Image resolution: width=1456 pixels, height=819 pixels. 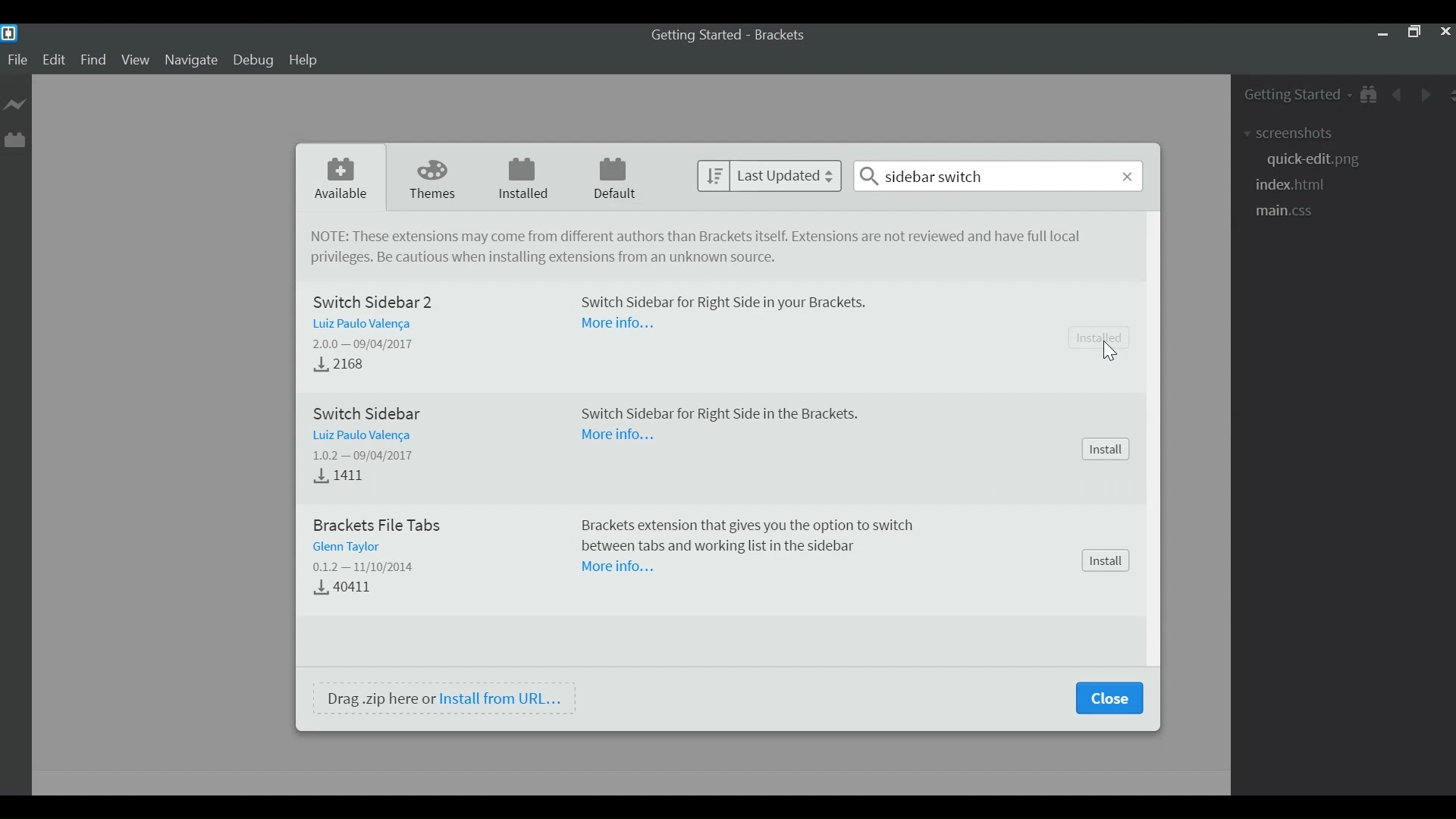 I want to click on Available, so click(x=342, y=176).